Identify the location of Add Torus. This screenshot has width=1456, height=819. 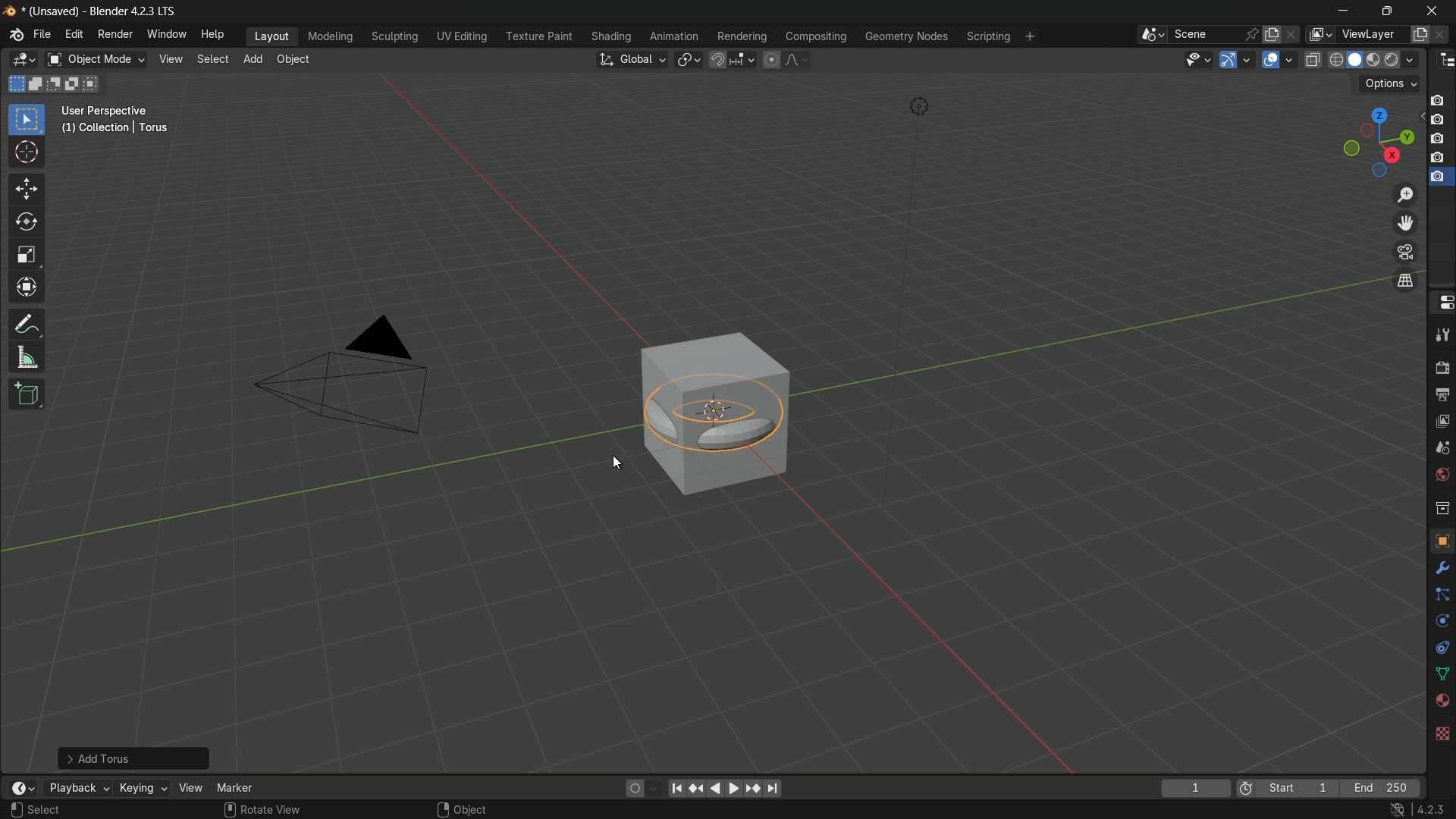
(136, 757).